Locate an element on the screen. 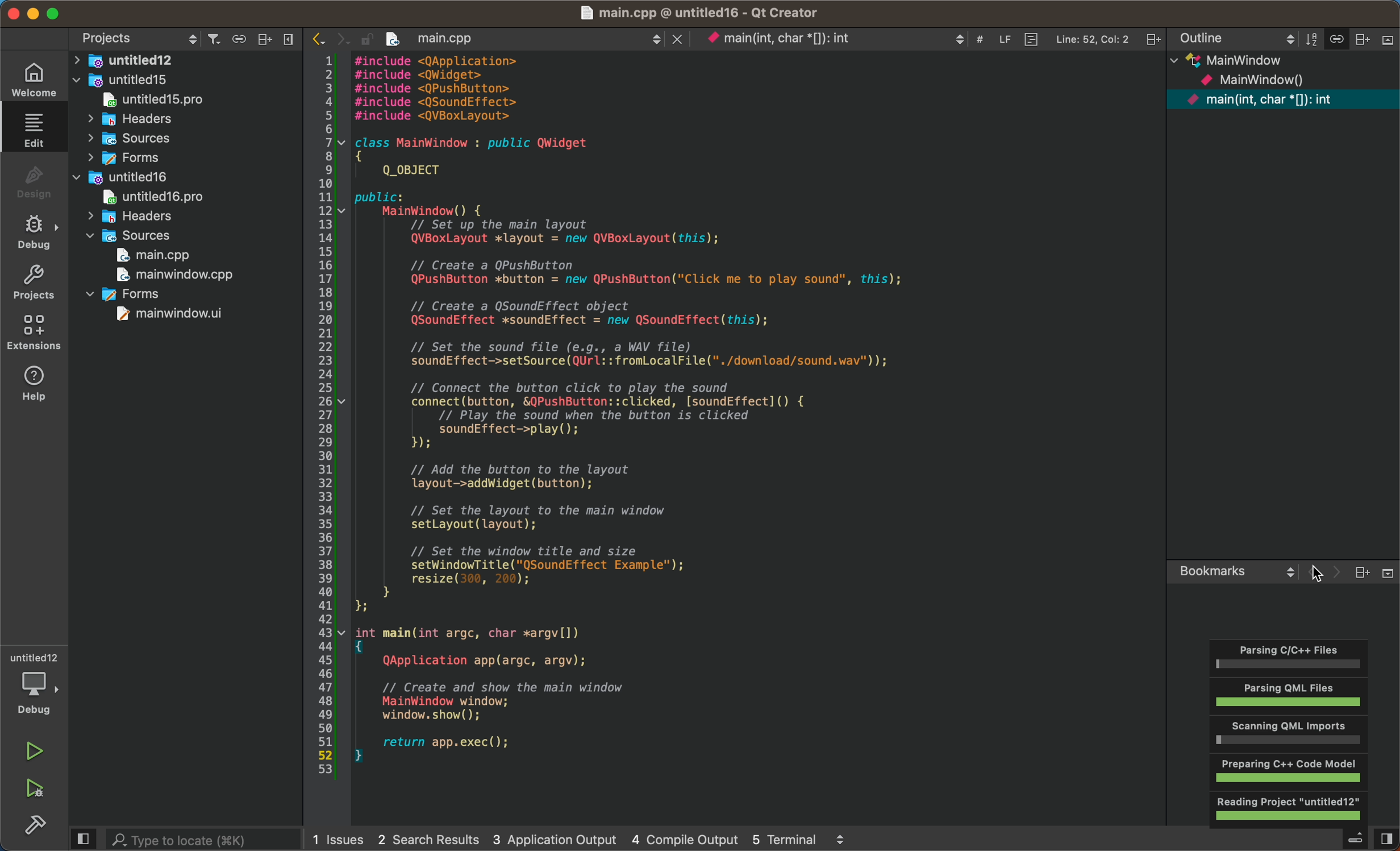 Image resolution: width=1400 pixels, height=851 pixels. arrows is located at coordinates (330, 40).